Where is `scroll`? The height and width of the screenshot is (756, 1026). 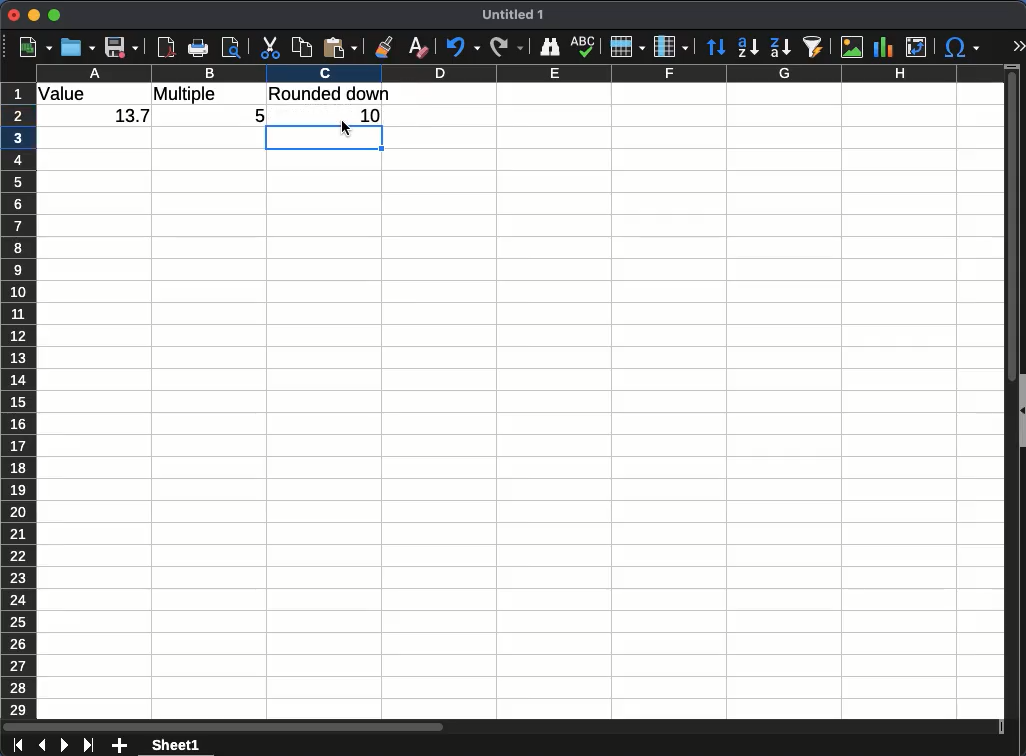 scroll is located at coordinates (1003, 400).